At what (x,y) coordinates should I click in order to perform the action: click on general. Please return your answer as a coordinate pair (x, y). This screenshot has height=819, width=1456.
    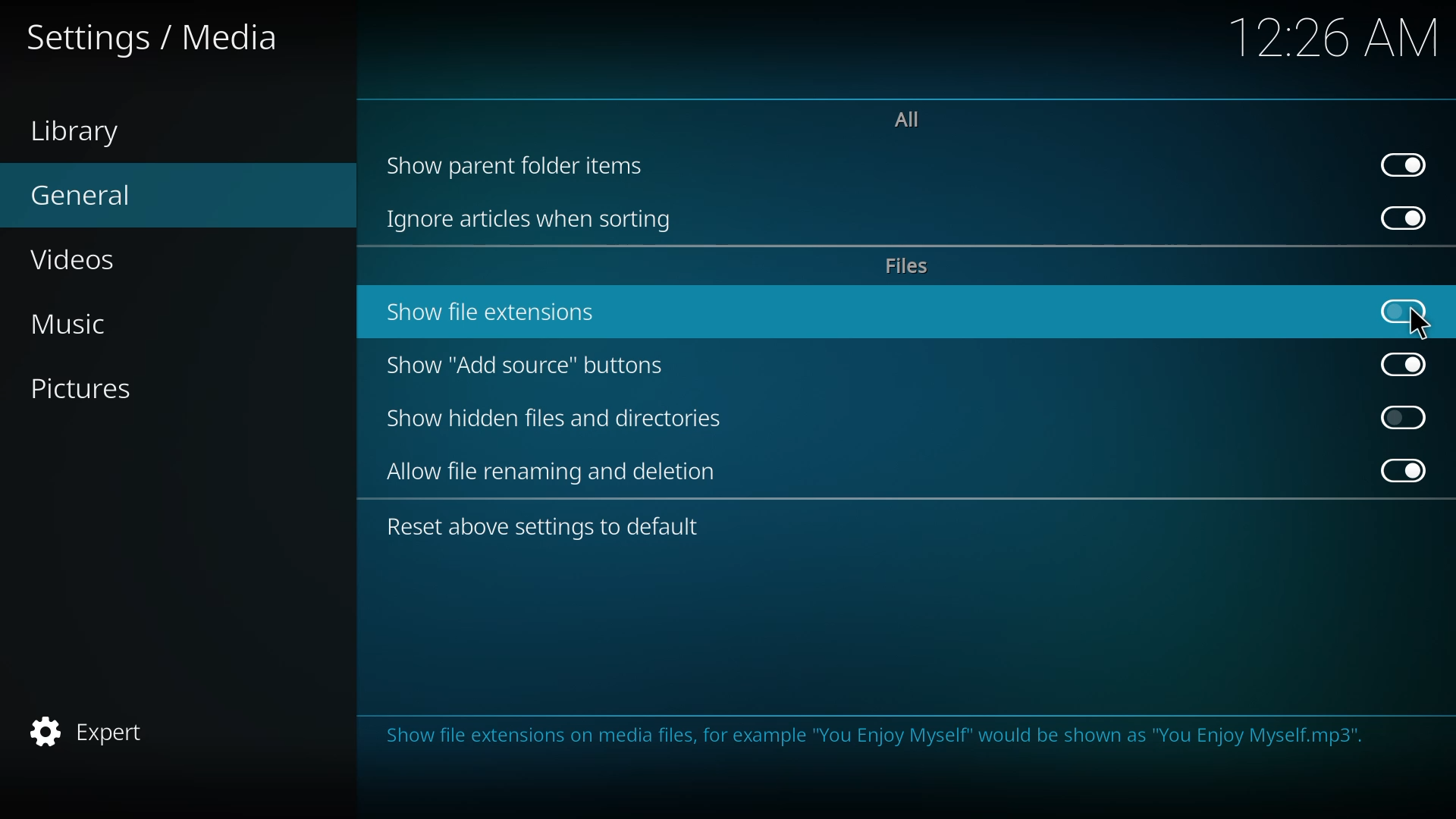
    Looking at the image, I should click on (85, 193).